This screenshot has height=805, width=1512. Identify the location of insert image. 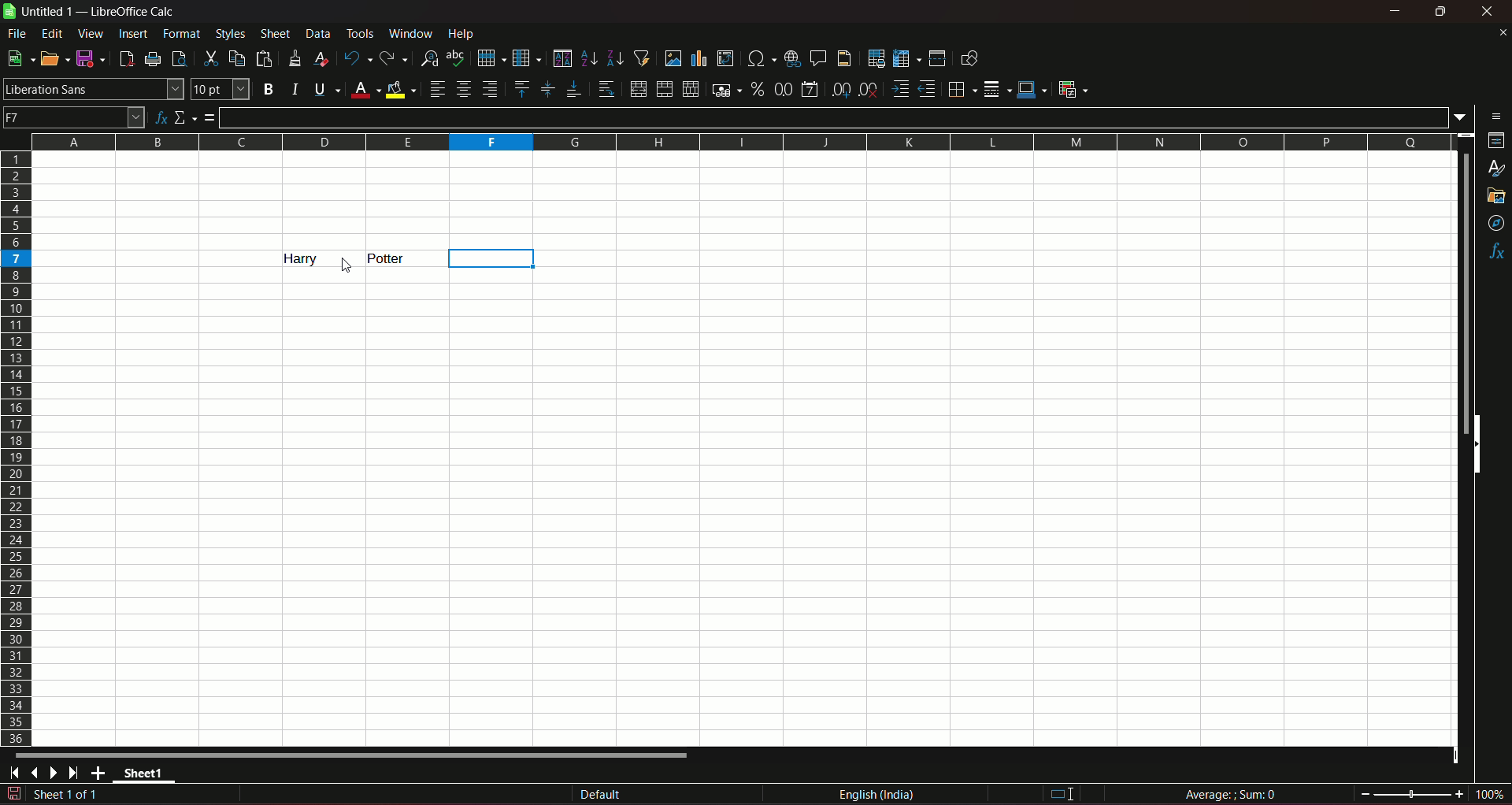
(673, 58).